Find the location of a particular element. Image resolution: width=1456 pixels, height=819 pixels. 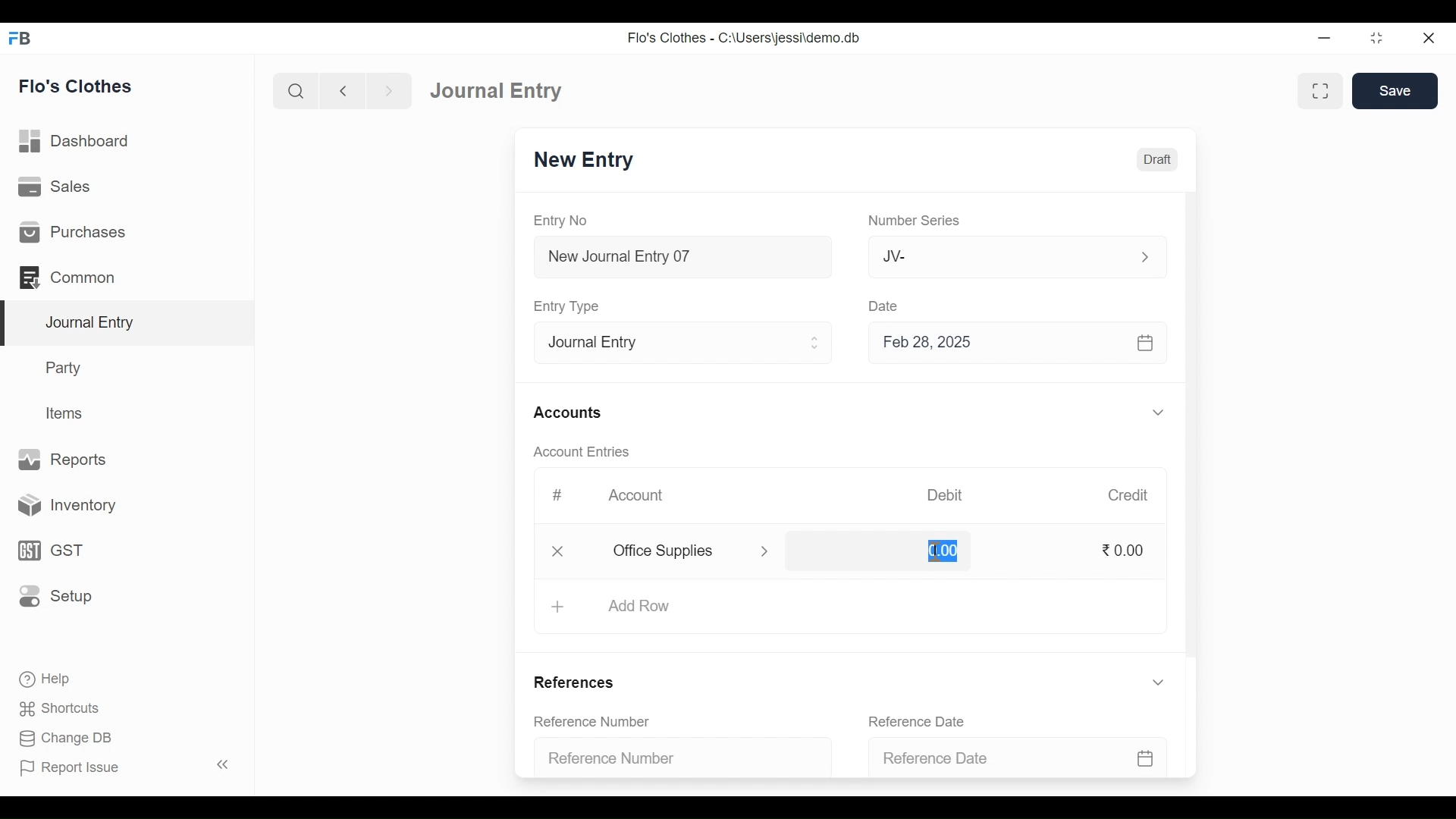

Expand is located at coordinates (817, 343).